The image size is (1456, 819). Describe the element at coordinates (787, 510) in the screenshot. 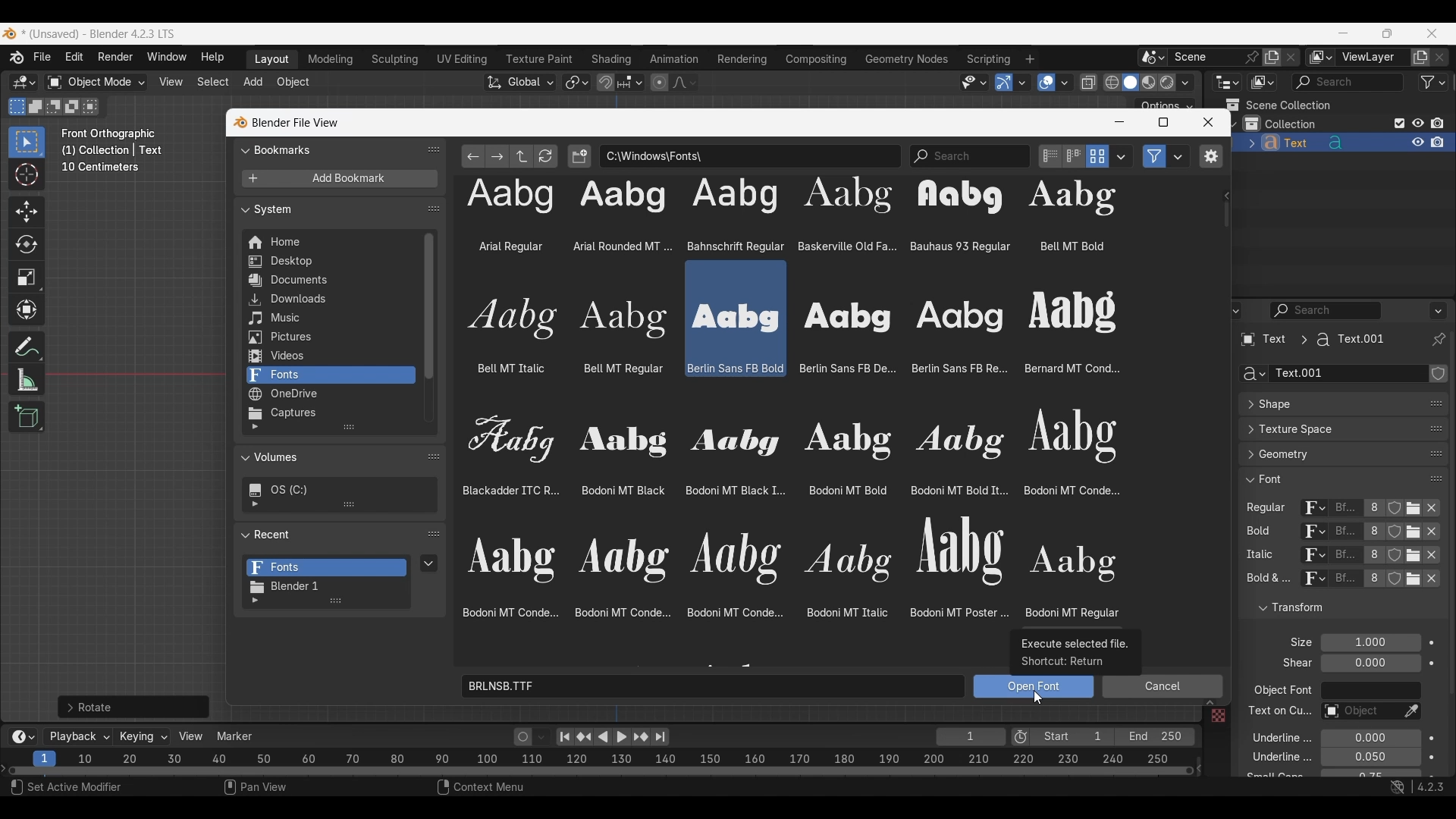

I see `Font options` at that location.